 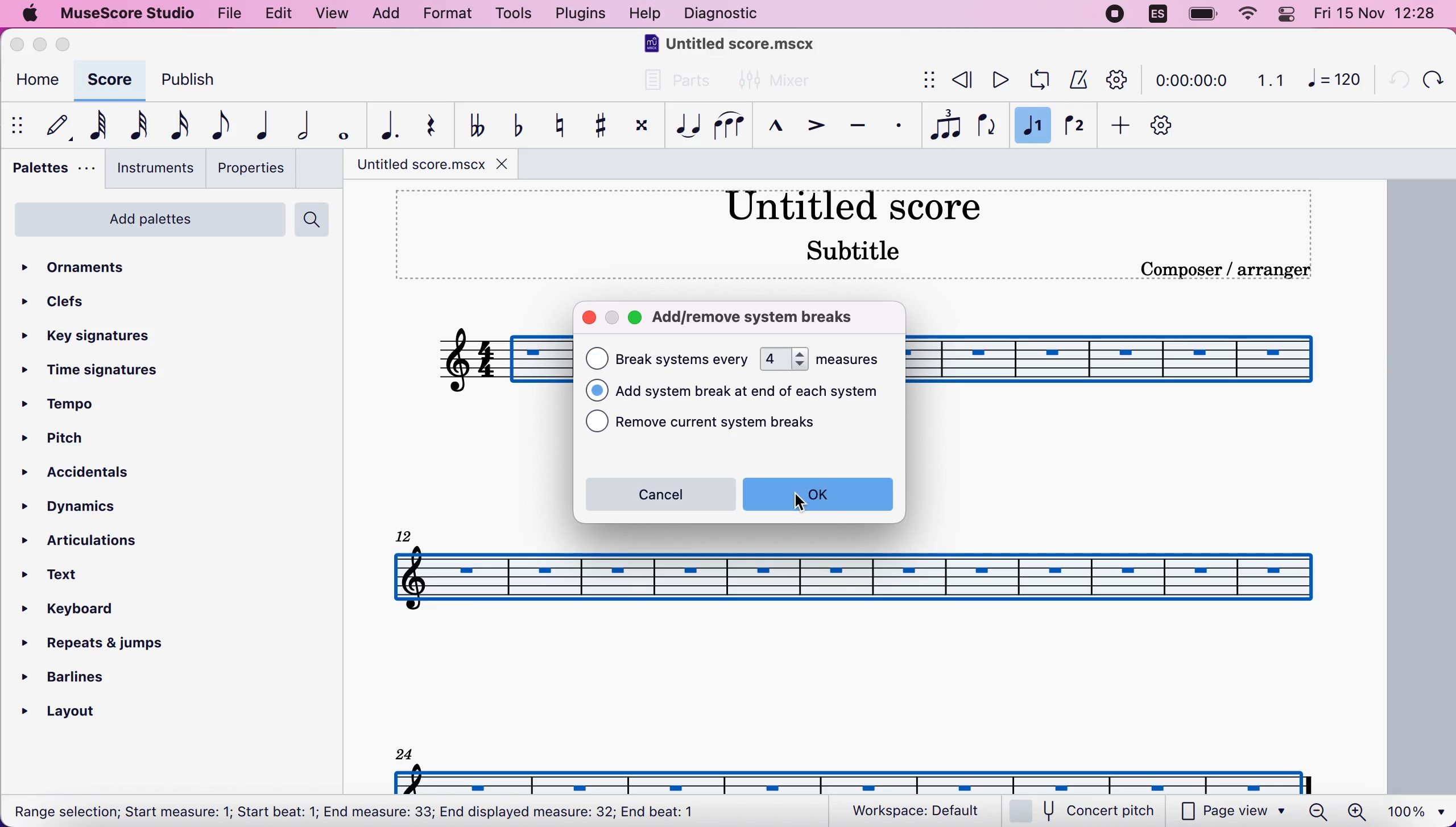 I want to click on ok, so click(x=818, y=494).